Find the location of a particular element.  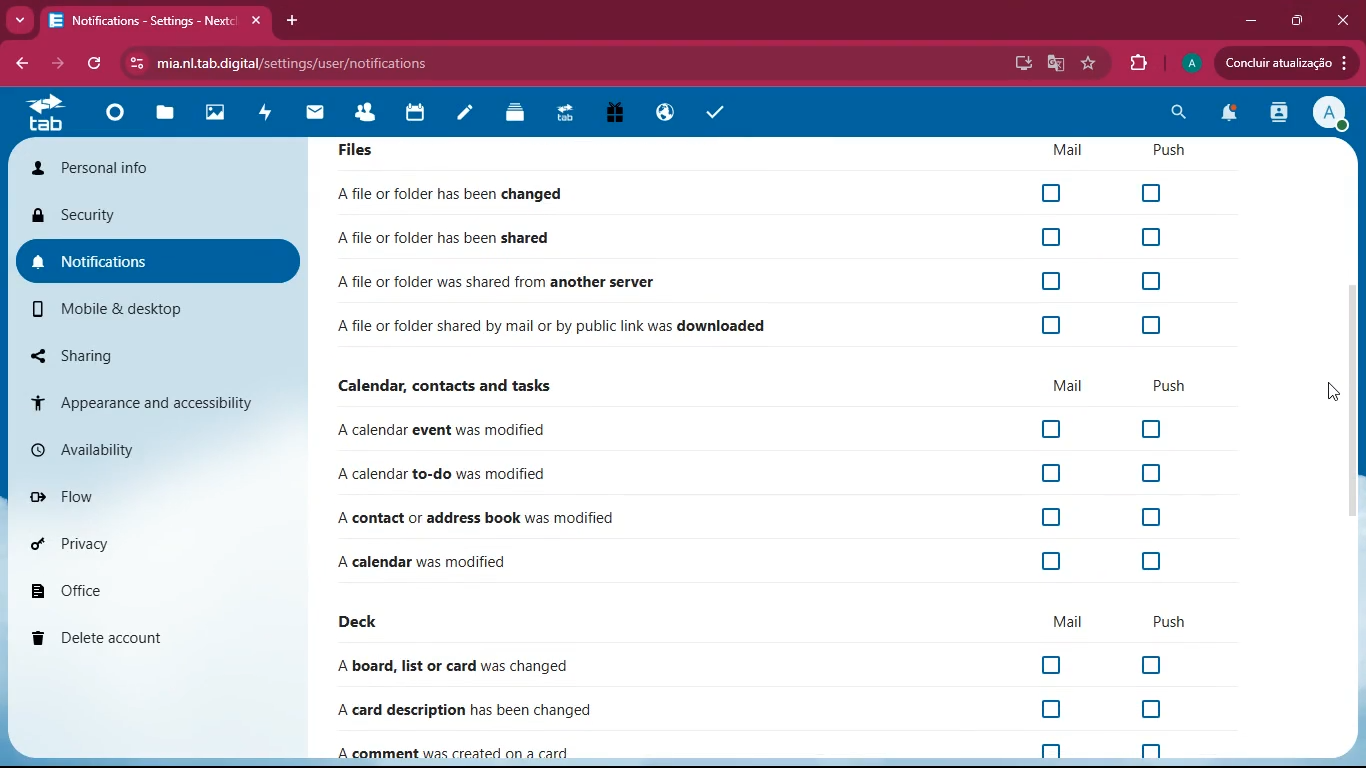

mail is located at coordinates (322, 115).